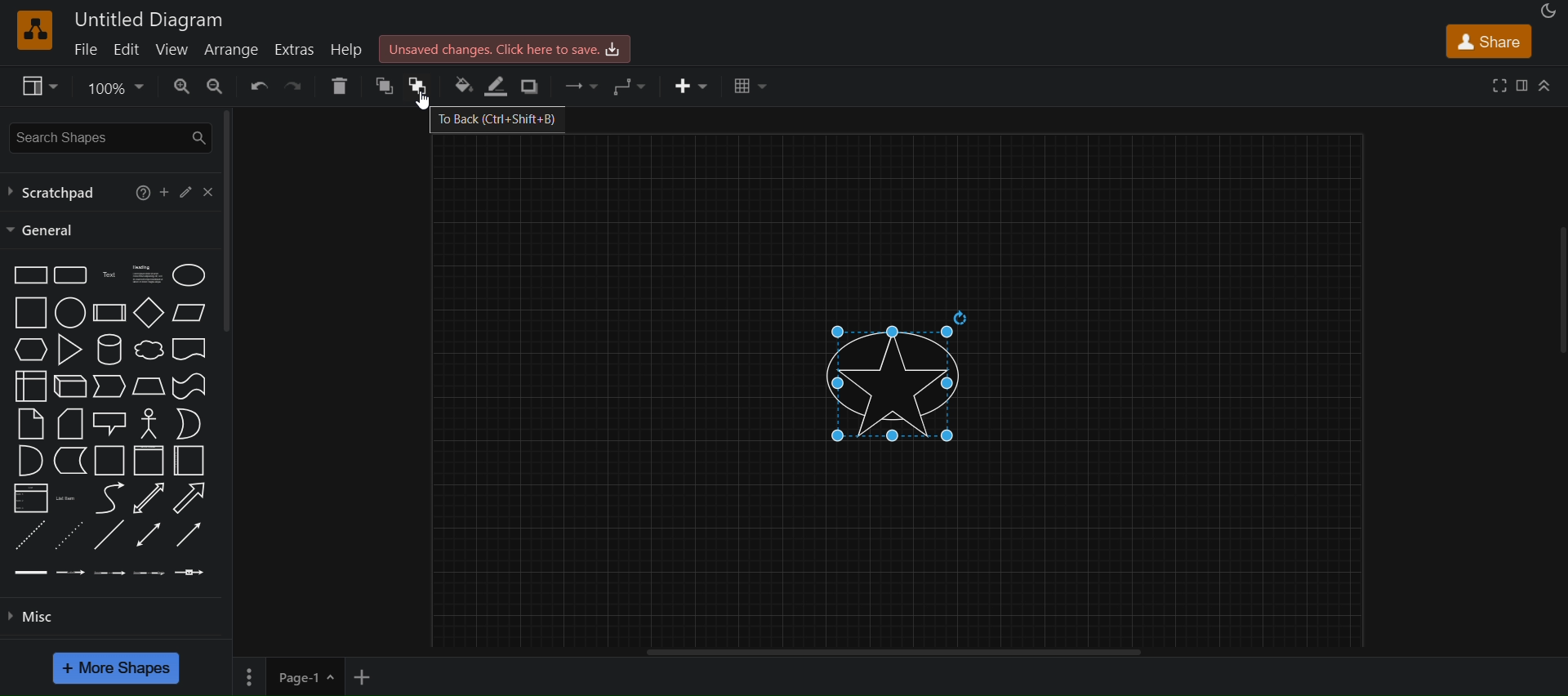 This screenshot has width=1568, height=696. What do you see at coordinates (148, 497) in the screenshot?
I see `bidirectional  arrow` at bounding box center [148, 497].